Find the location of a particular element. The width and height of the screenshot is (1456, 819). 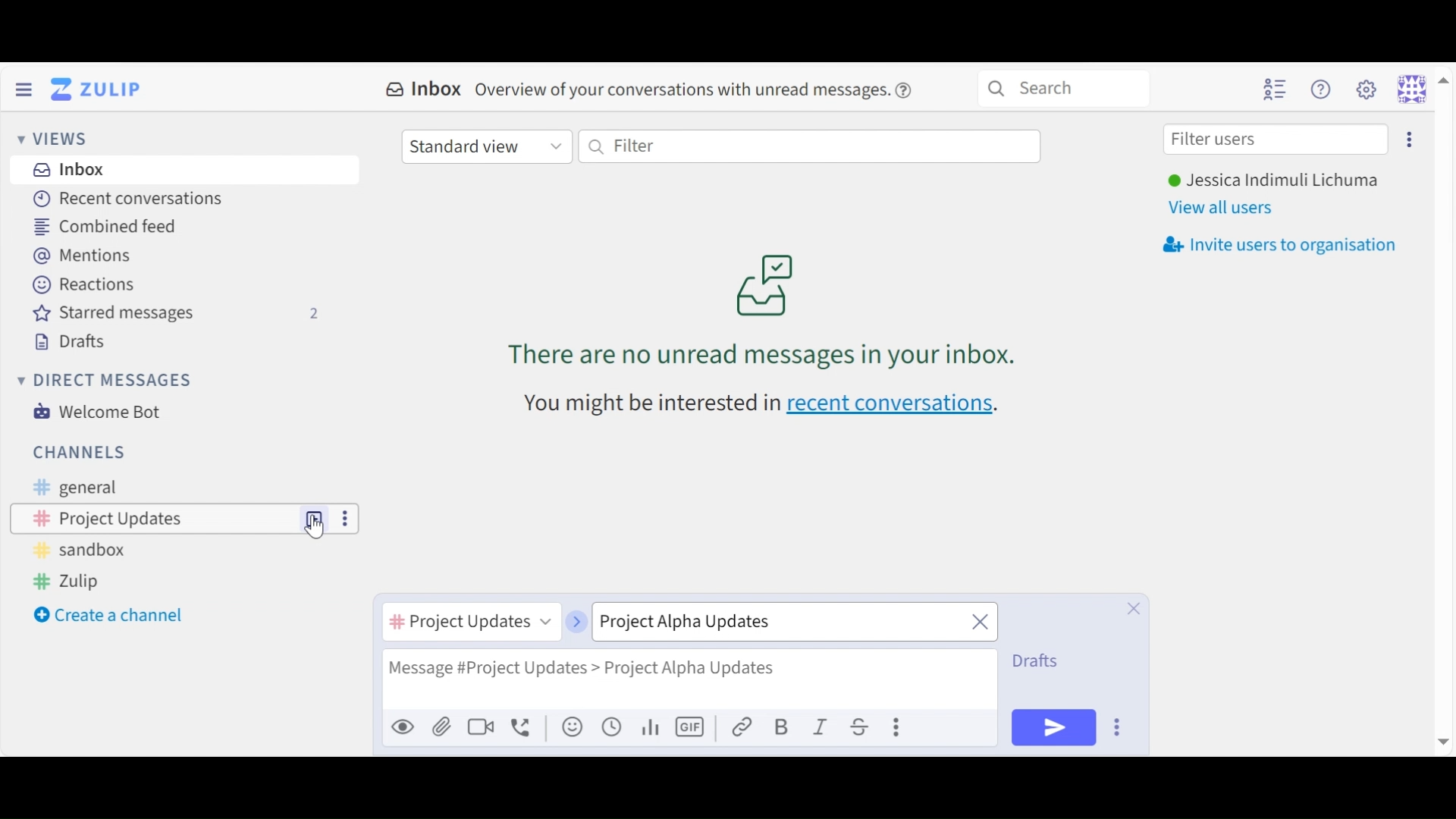

Send Options is located at coordinates (1119, 726).